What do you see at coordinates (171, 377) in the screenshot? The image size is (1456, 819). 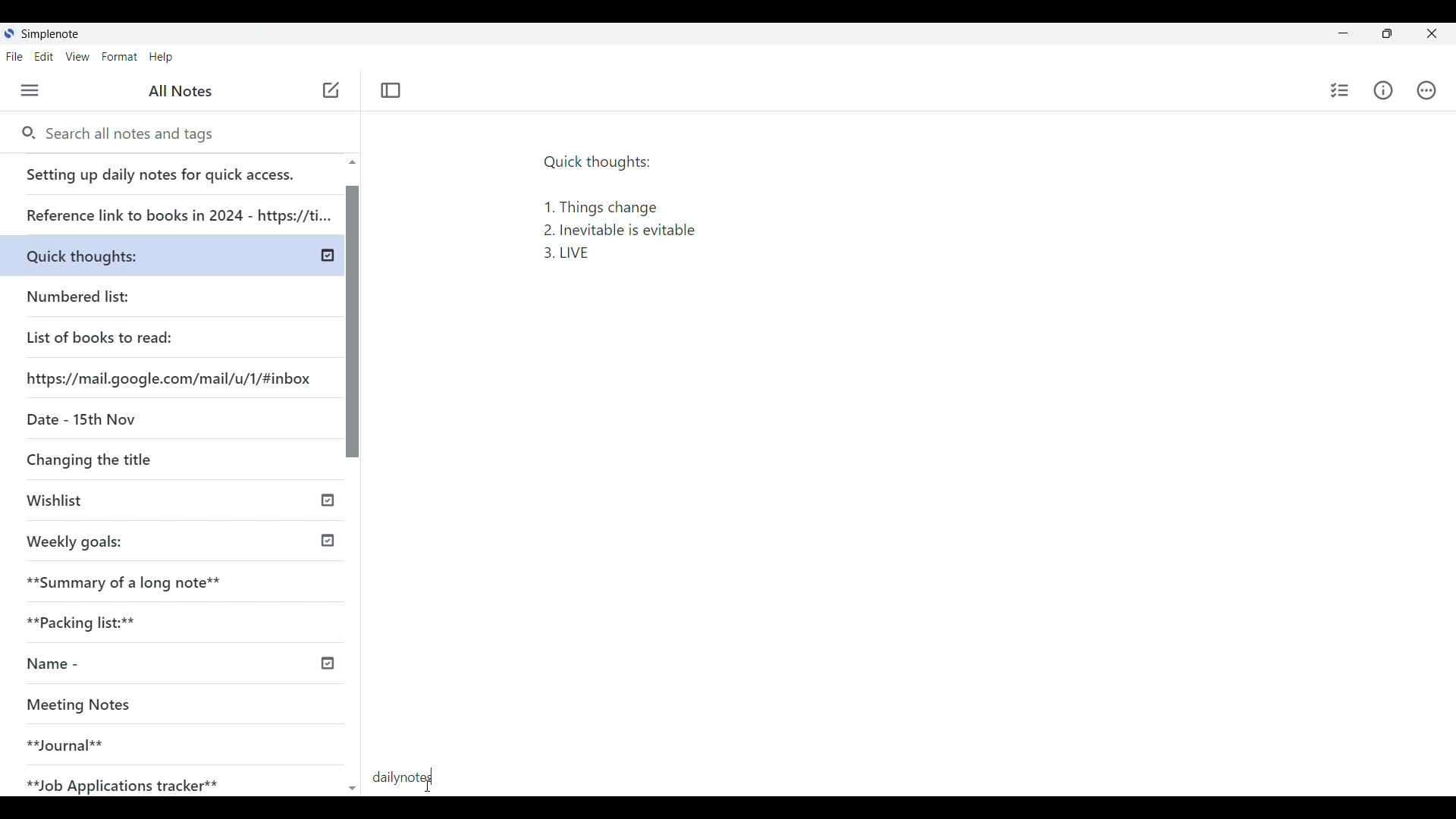 I see `Website` at bounding box center [171, 377].